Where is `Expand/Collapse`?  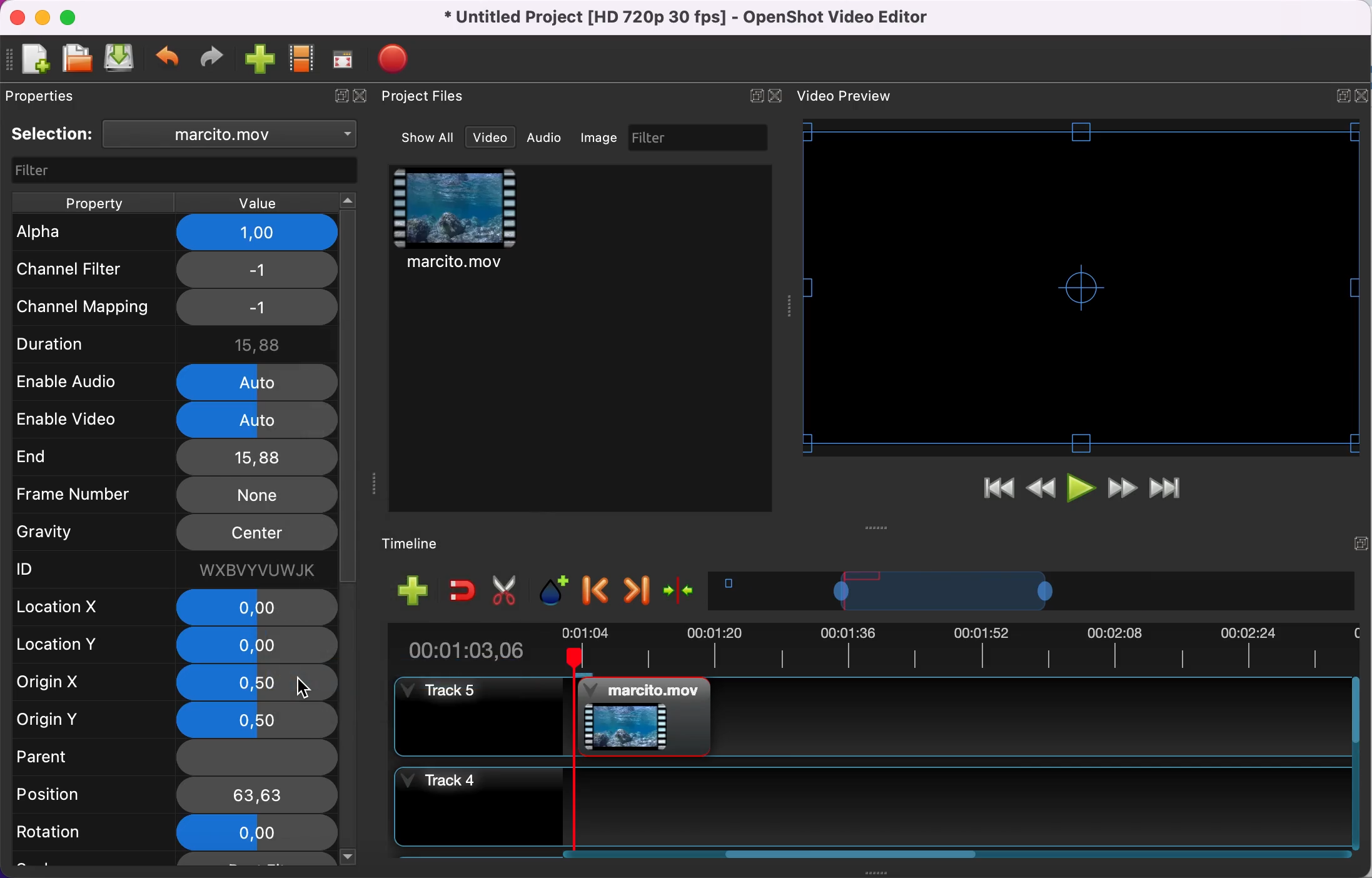 Expand/Collapse is located at coordinates (1343, 96).